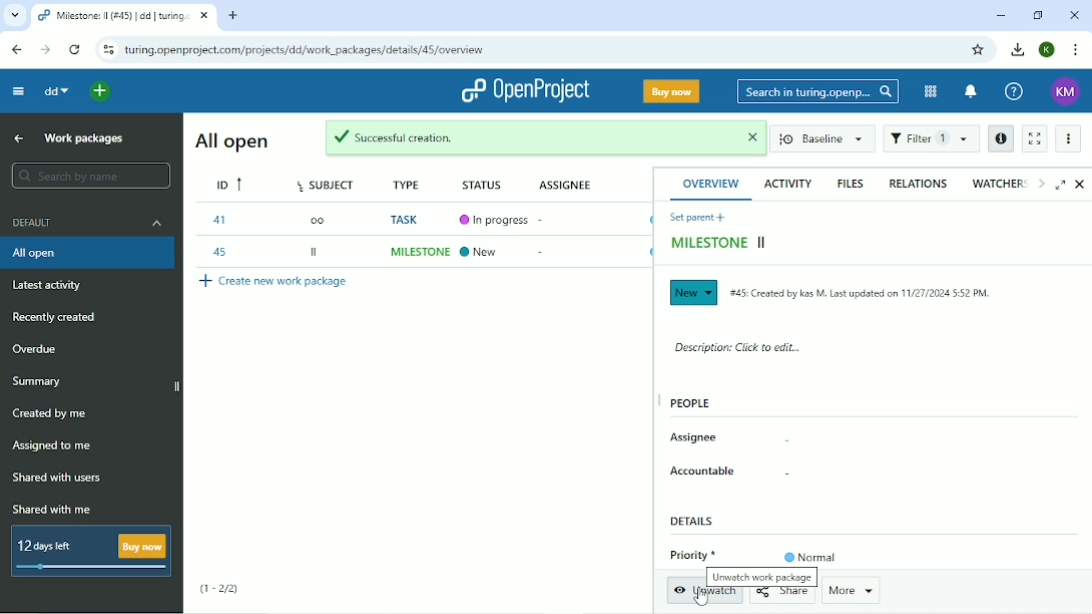 This screenshot has width=1092, height=614. What do you see at coordinates (222, 253) in the screenshot?
I see `45` at bounding box center [222, 253].